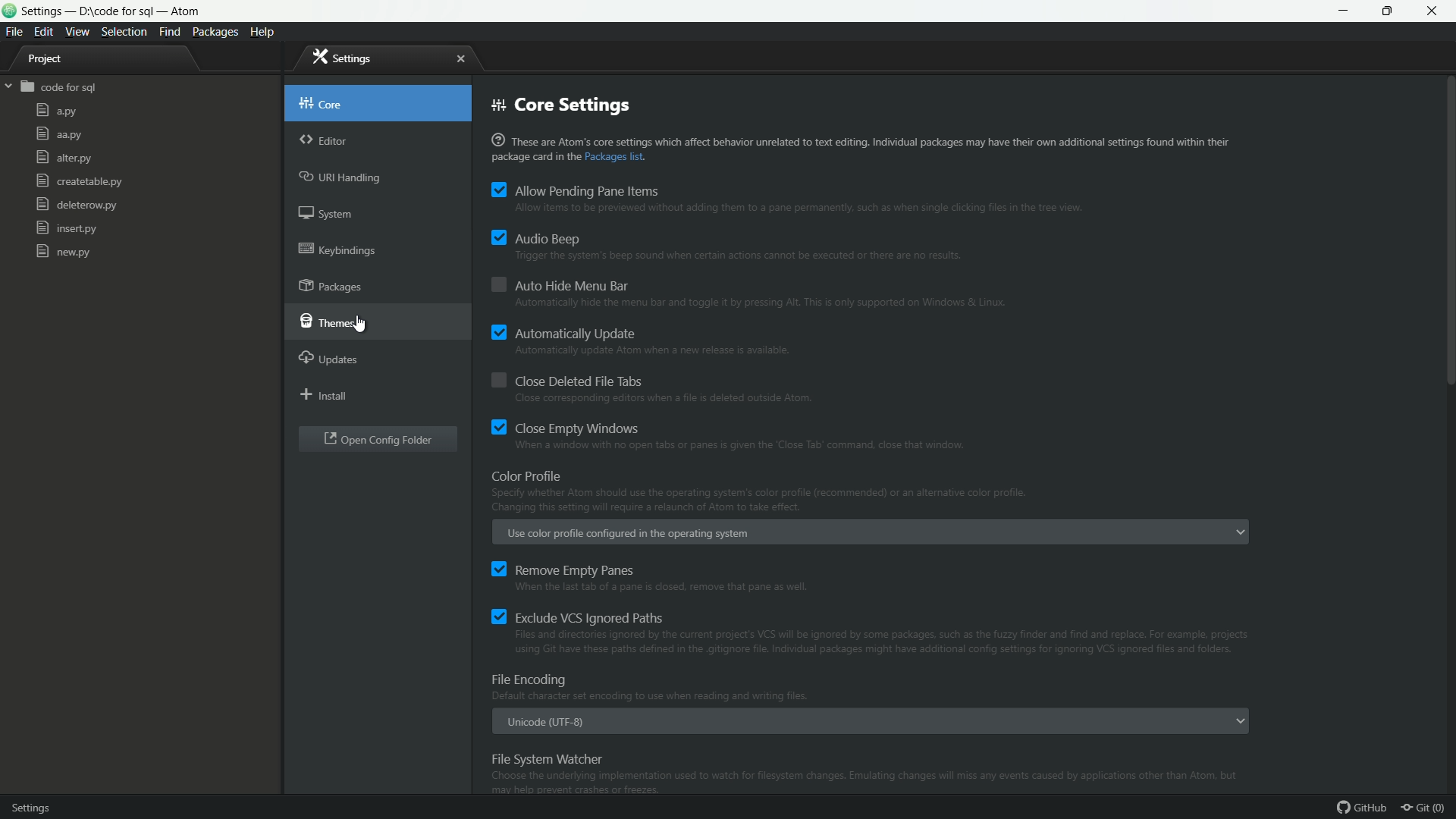 The height and width of the screenshot is (819, 1456). Describe the element at coordinates (338, 249) in the screenshot. I see `keybindings` at that location.